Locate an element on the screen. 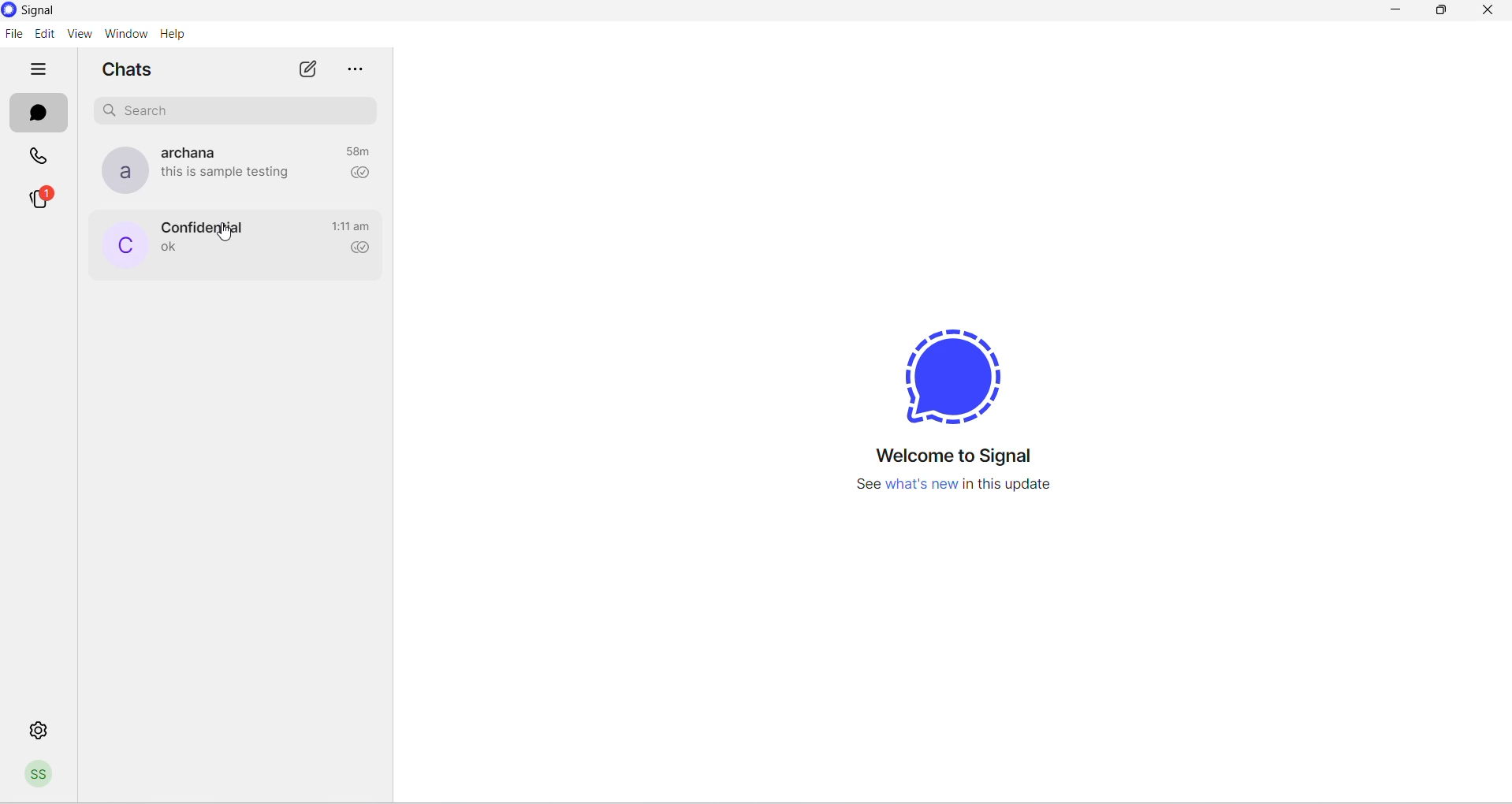  welcome text is located at coordinates (956, 459).